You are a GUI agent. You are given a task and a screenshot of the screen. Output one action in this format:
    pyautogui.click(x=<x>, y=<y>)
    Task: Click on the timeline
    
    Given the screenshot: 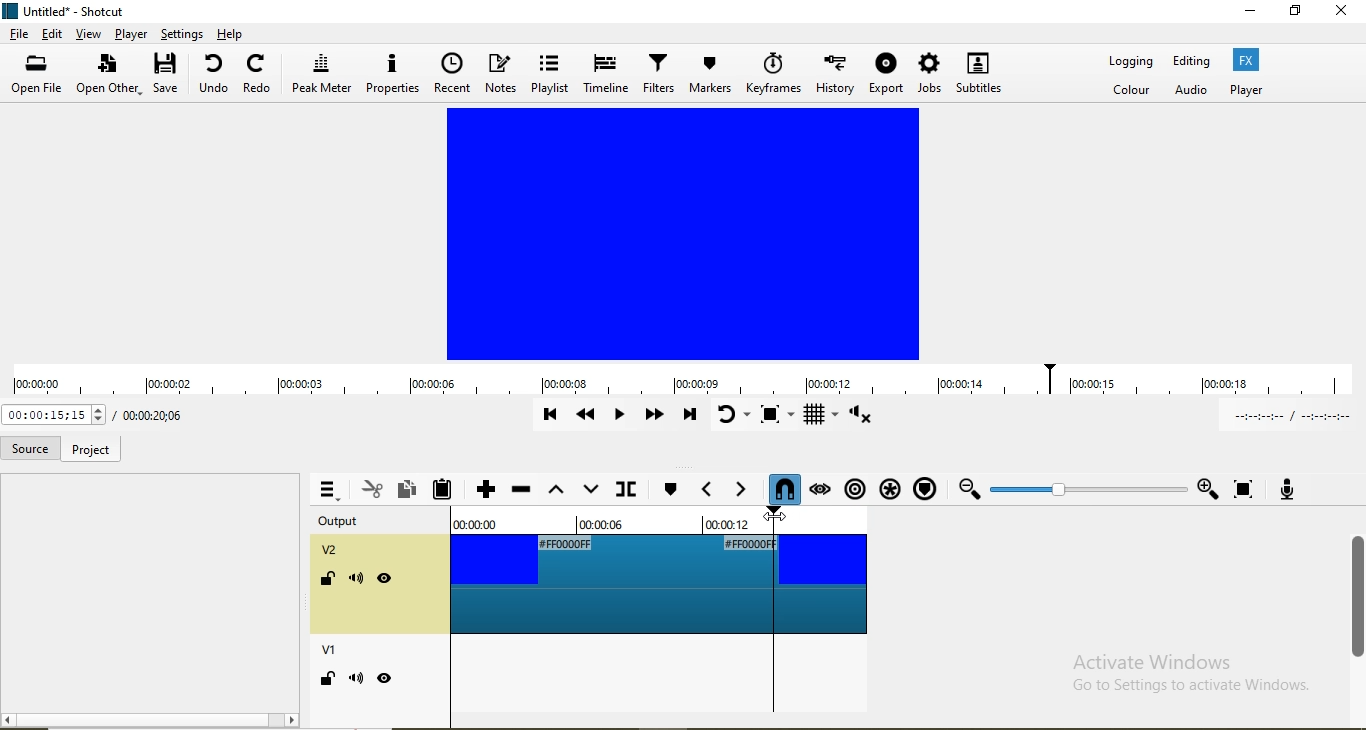 What is the action you would take?
    pyautogui.click(x=683, y=382)
    